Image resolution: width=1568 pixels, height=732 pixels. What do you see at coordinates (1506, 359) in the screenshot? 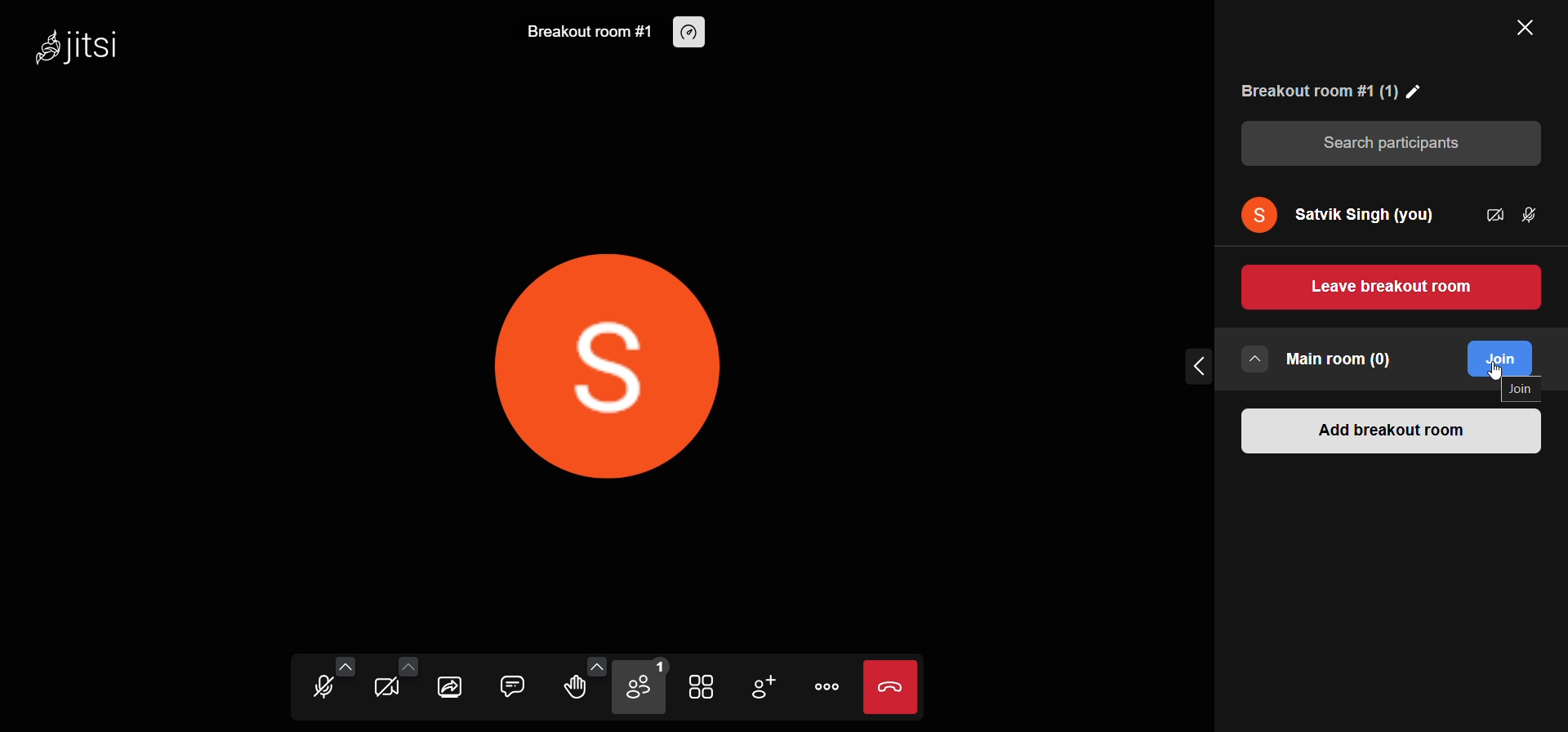
I see `join` at bounding box center [1506, 359].